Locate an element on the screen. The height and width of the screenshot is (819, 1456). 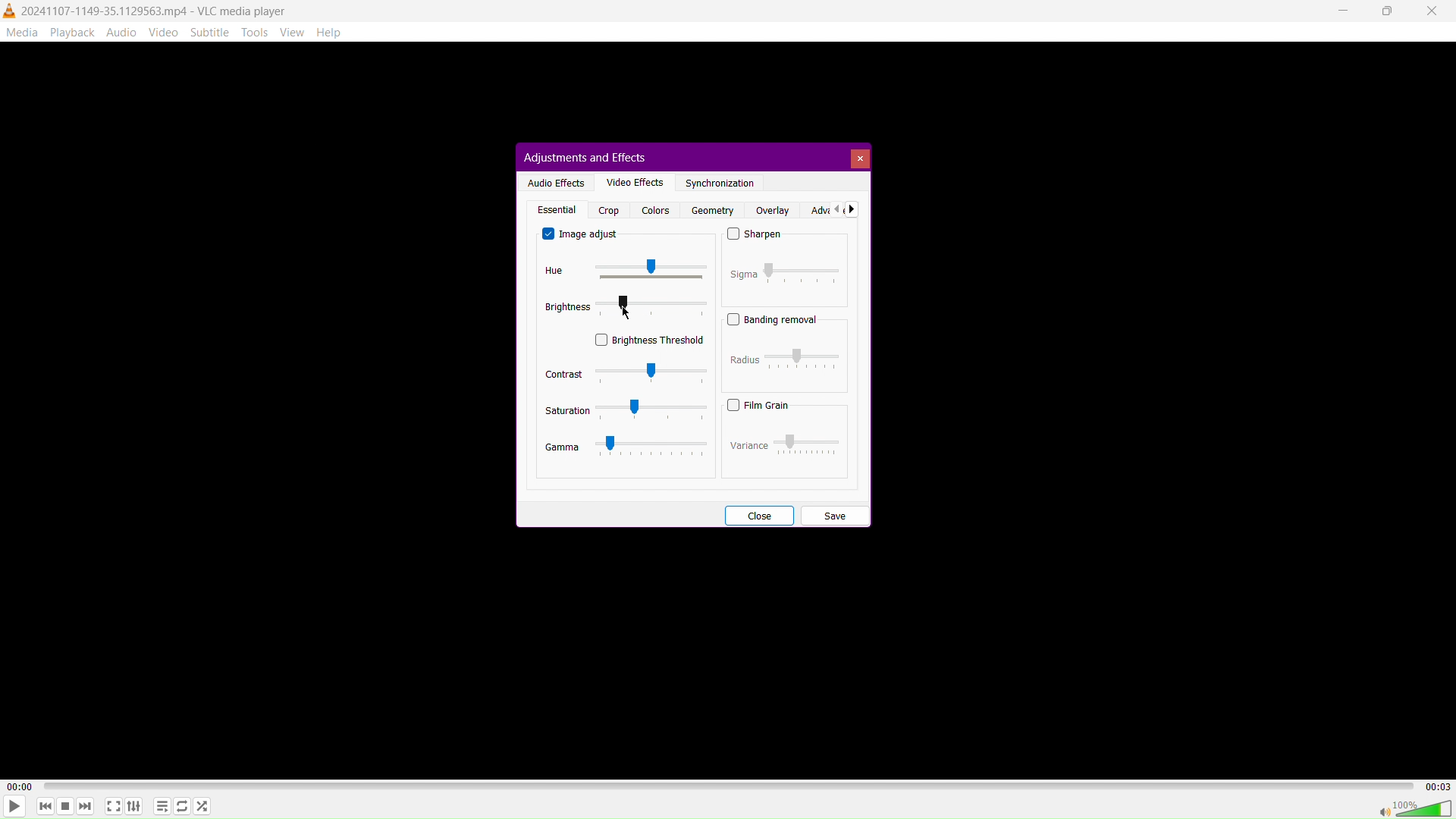
Geometry is located at coordinates (710, 210).